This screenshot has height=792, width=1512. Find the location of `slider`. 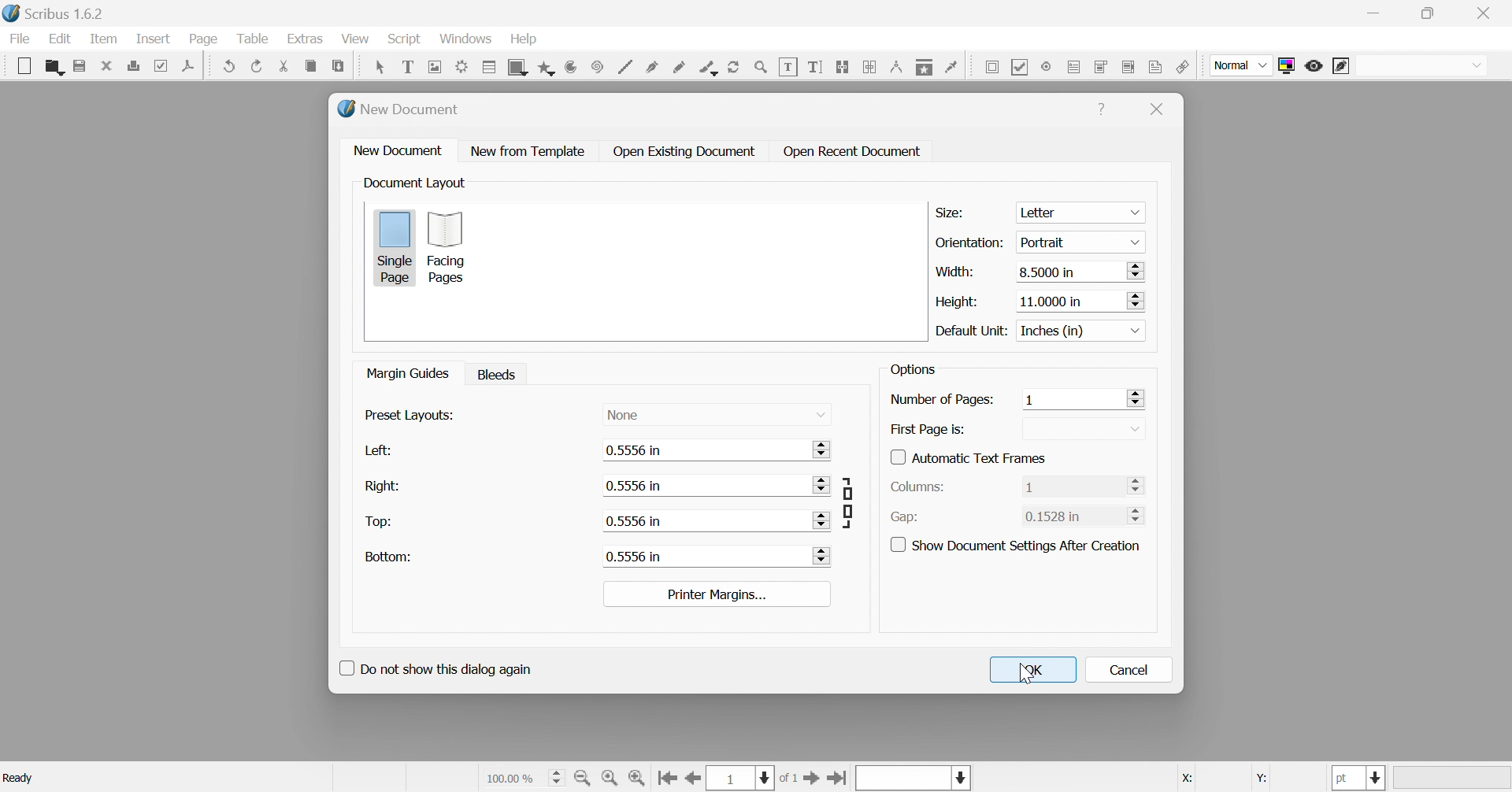

slider is located at coordinates (825, 520).